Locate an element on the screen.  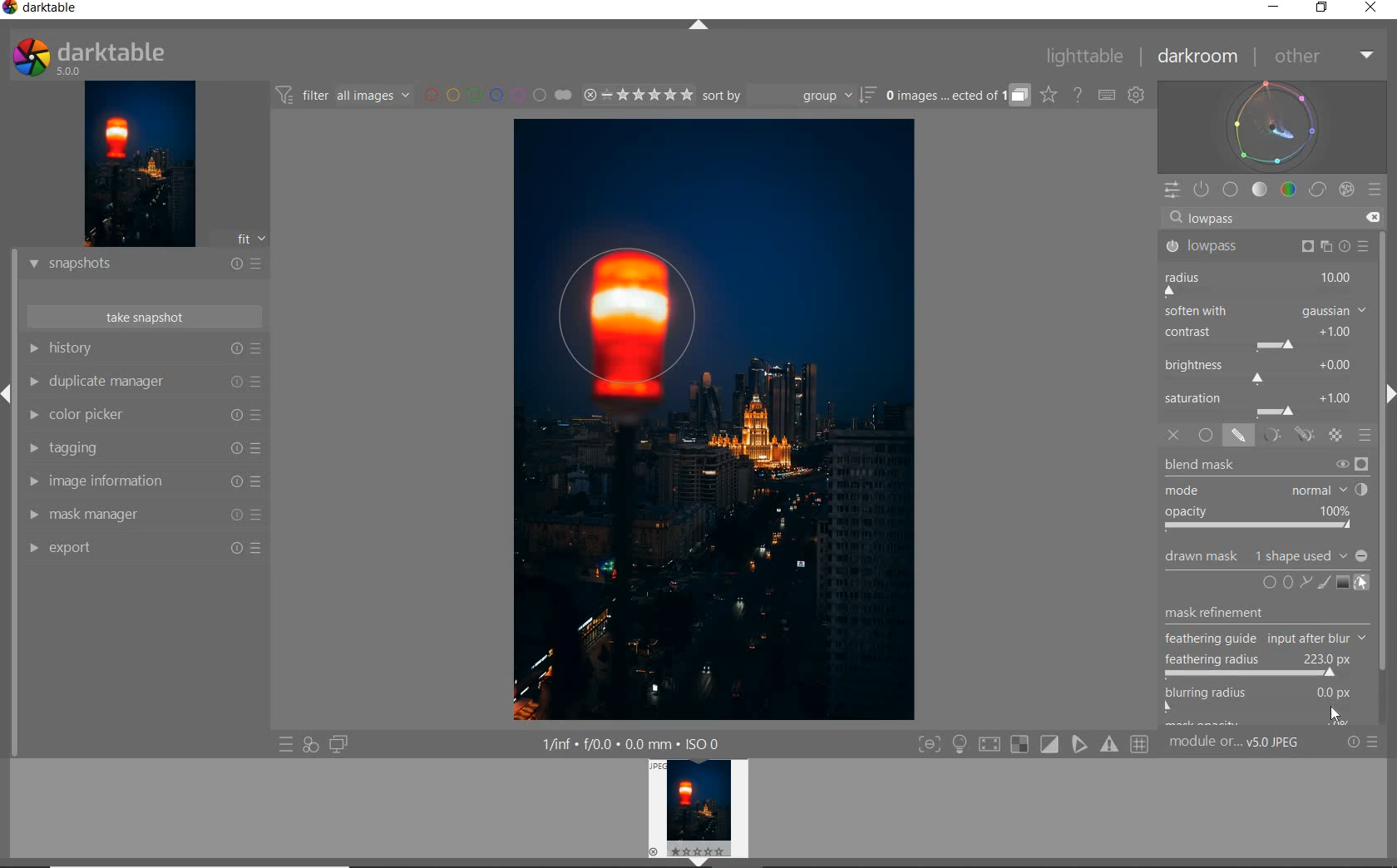
SYSTEM LOG is located at coordinates (106, 56).